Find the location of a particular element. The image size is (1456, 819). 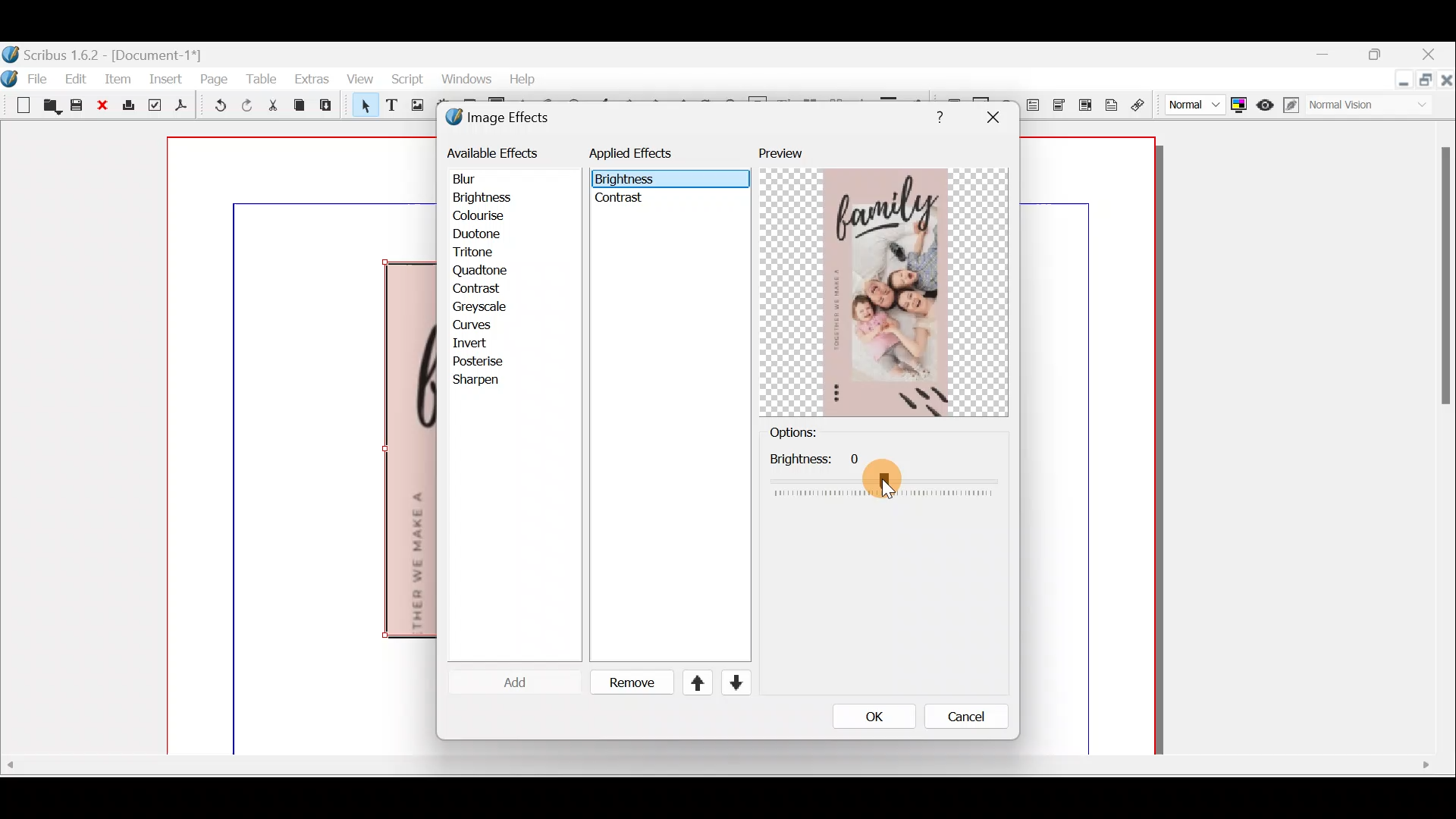

Edit in preview mode is located at coordinates (1293, 105).